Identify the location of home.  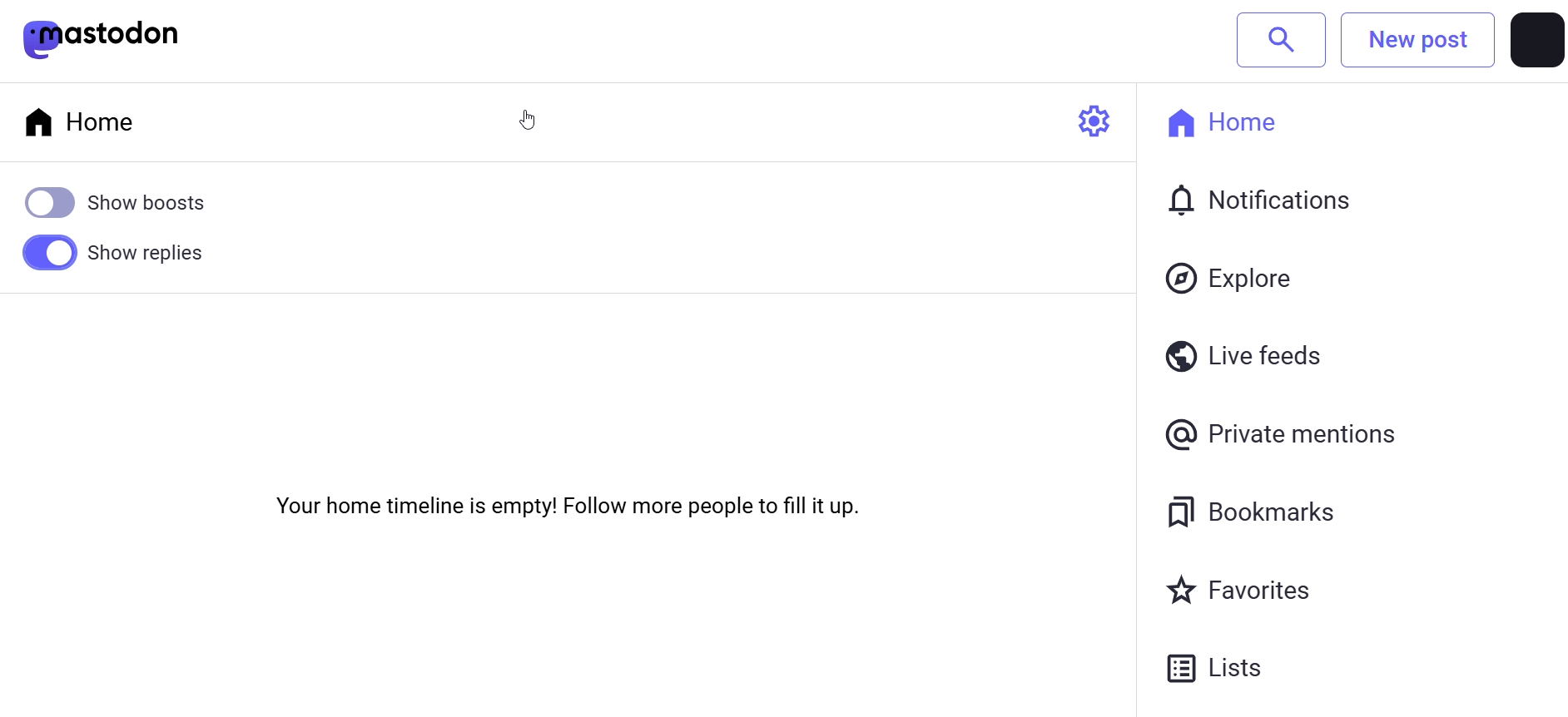
(1253, 122).